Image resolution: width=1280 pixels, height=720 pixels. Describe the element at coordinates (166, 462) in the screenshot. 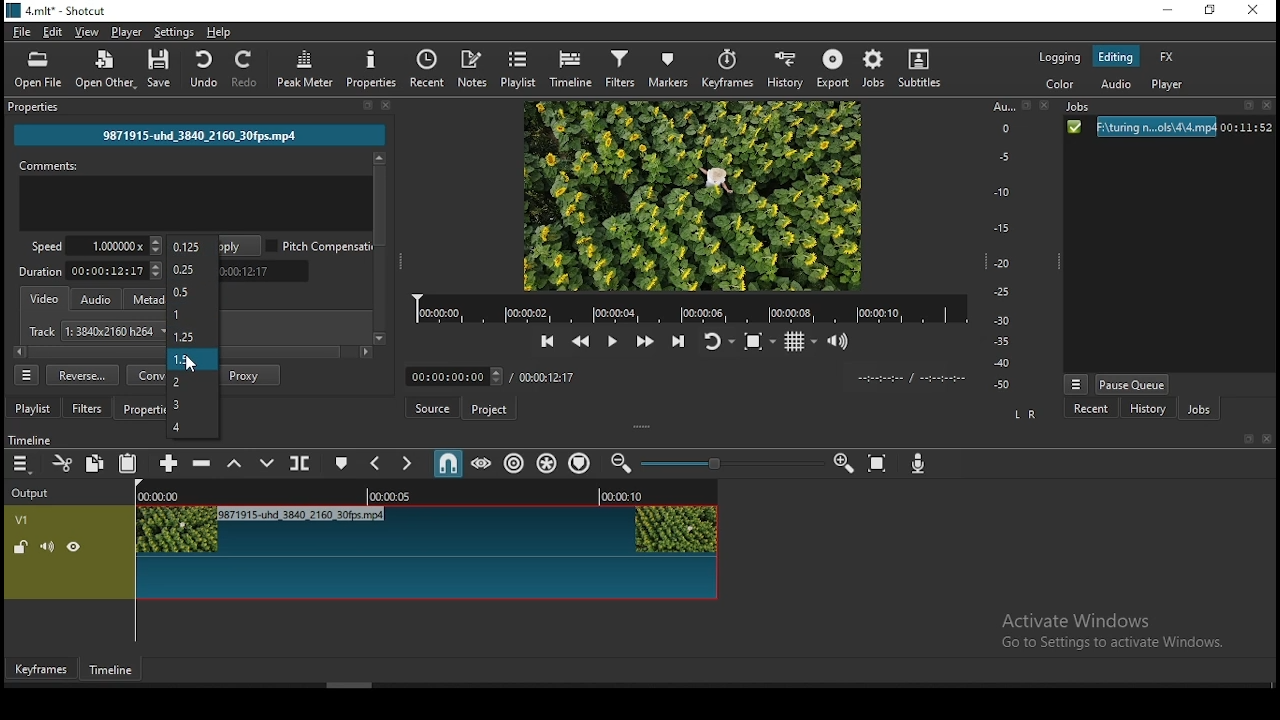

I see `append` at that location.